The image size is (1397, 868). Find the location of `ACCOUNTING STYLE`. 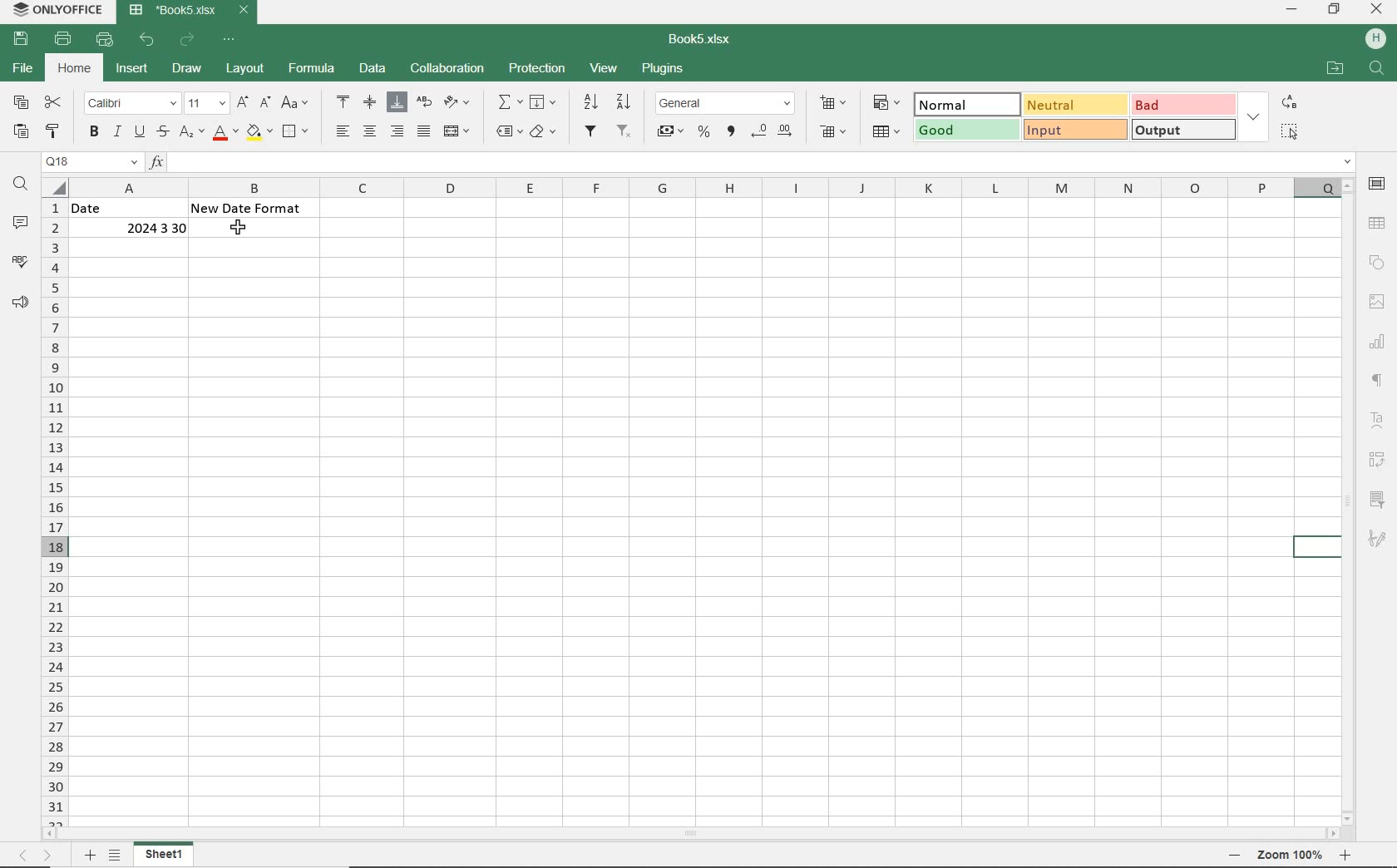

ACCOUNTING STYLE is located at coordinates (672, 133).